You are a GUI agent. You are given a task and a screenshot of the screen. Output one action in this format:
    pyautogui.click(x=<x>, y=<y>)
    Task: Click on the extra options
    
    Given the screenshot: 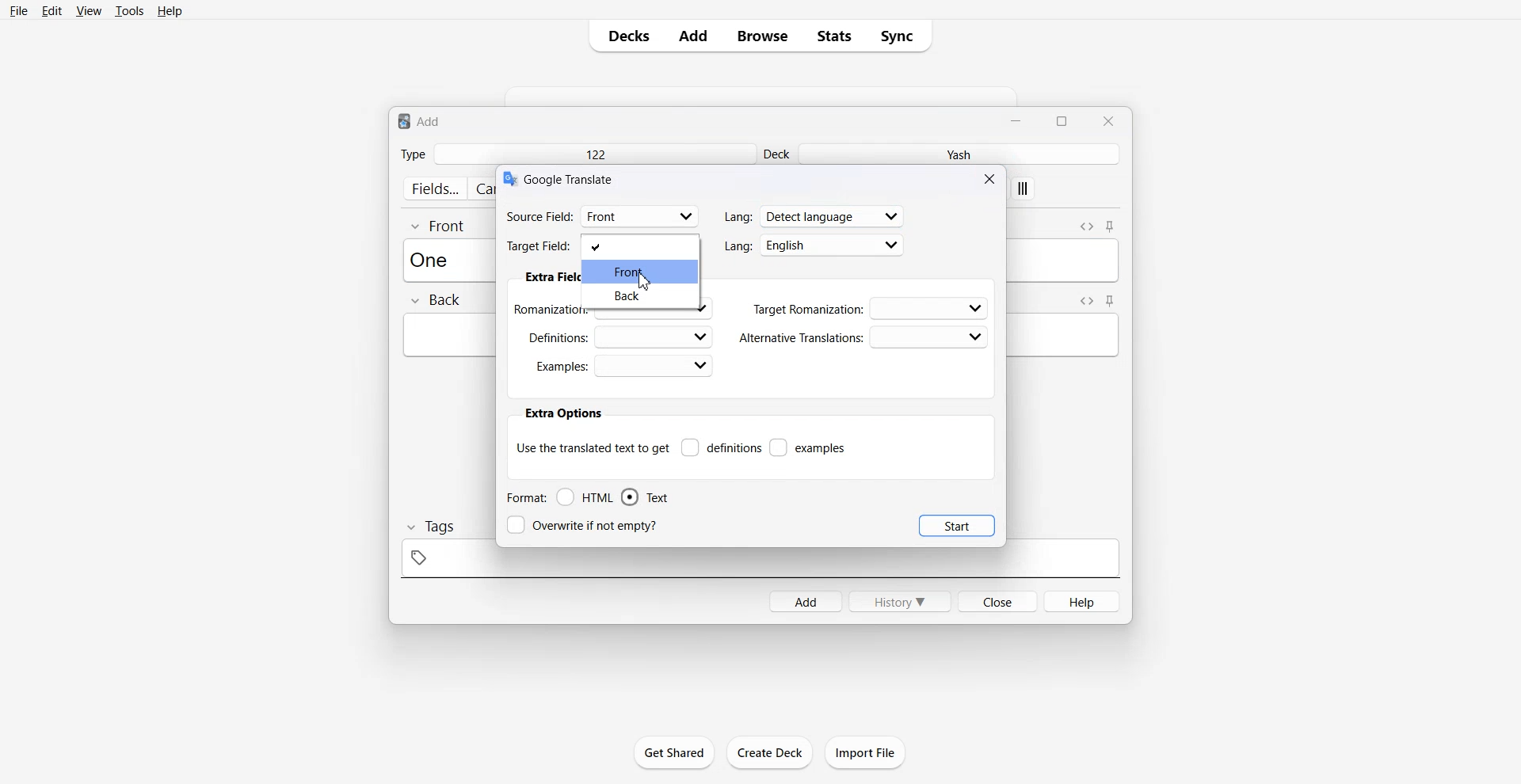 What is the action you would take?
    pyautogui.click(x=562, y=413)
    